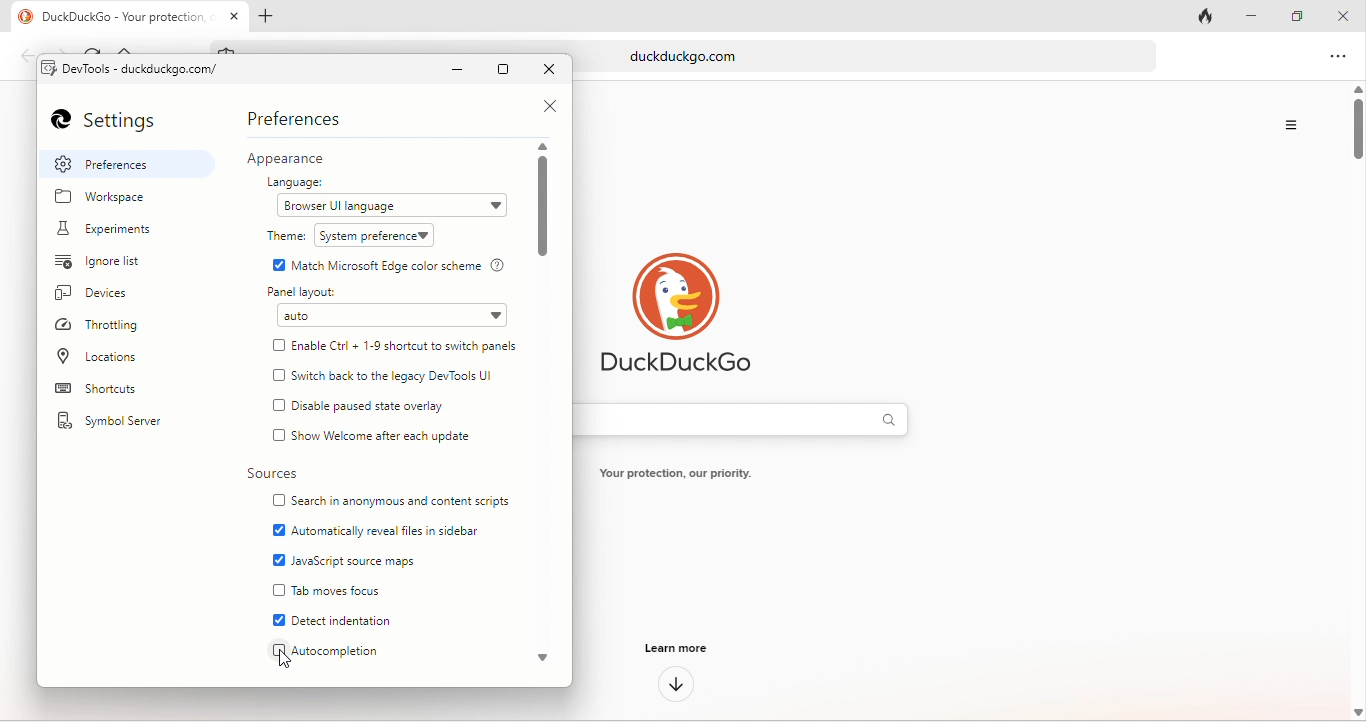 The height and width of the screenshot is (722, 1366). Describe the element at coordinates (106, 356) in the screenshot. I see `location` at that location.